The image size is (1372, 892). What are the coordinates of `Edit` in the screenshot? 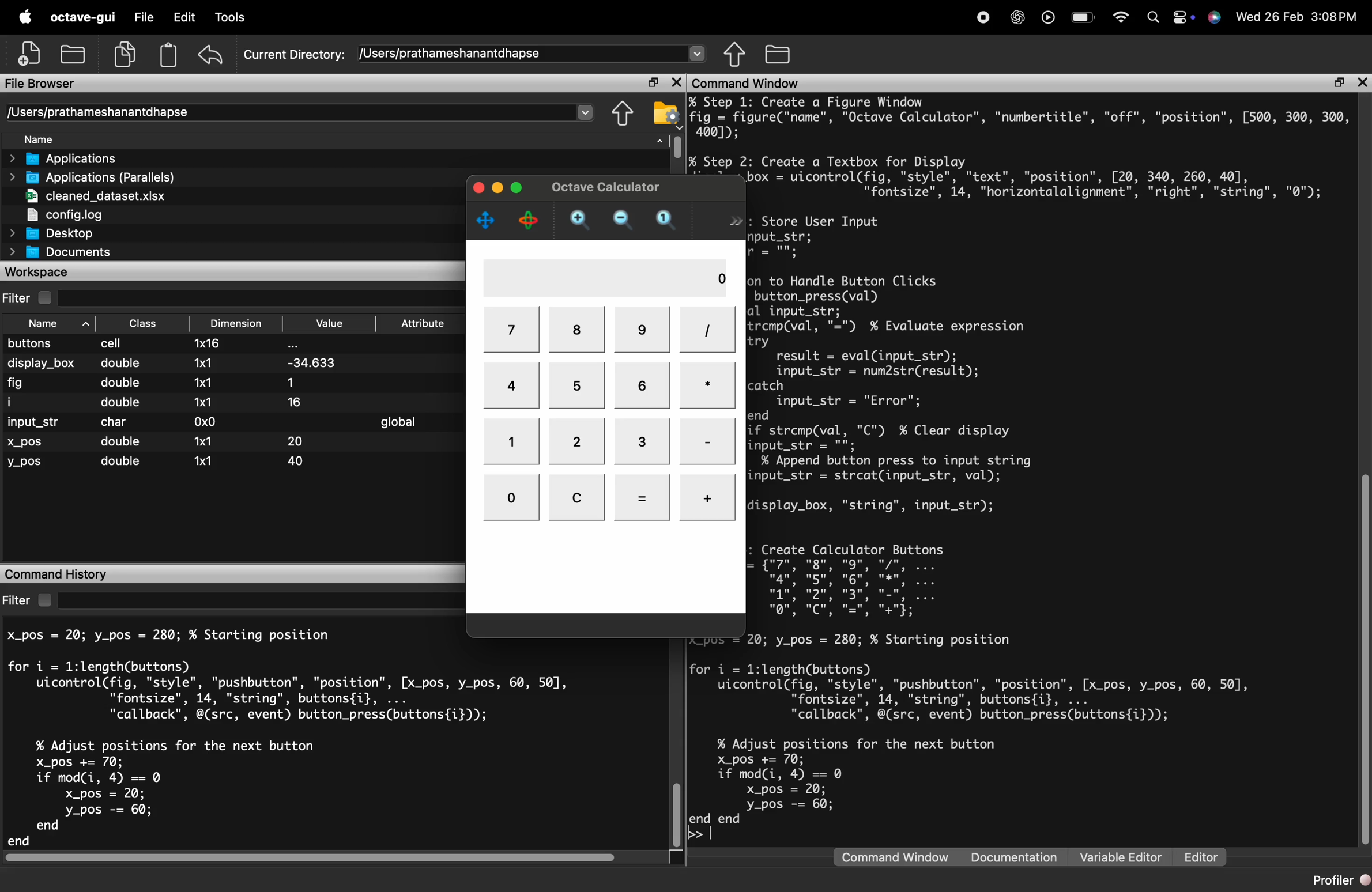 It's located at (180, 17).